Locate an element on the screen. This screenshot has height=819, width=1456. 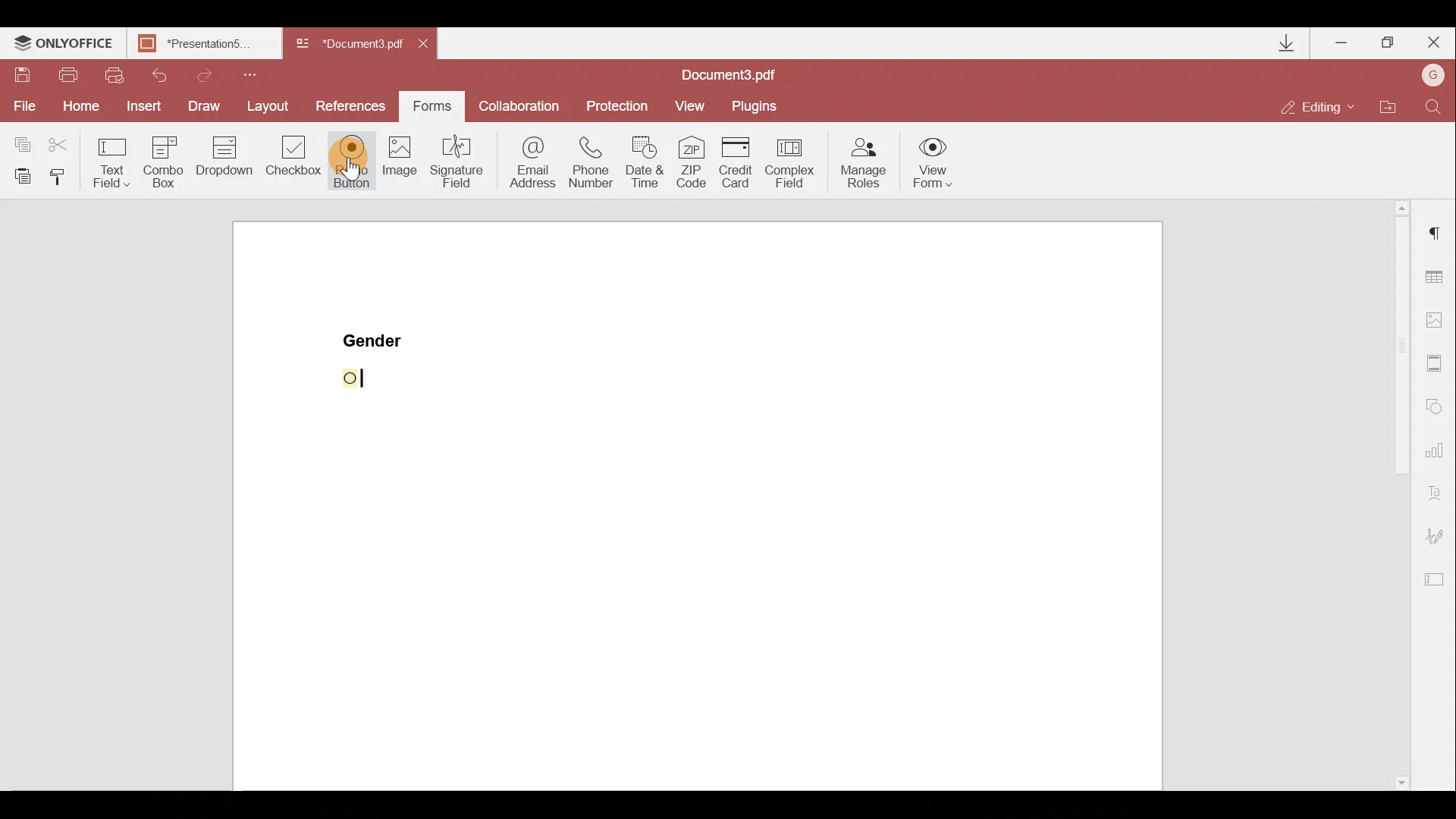
Insert is located at coordinates (142, 108).